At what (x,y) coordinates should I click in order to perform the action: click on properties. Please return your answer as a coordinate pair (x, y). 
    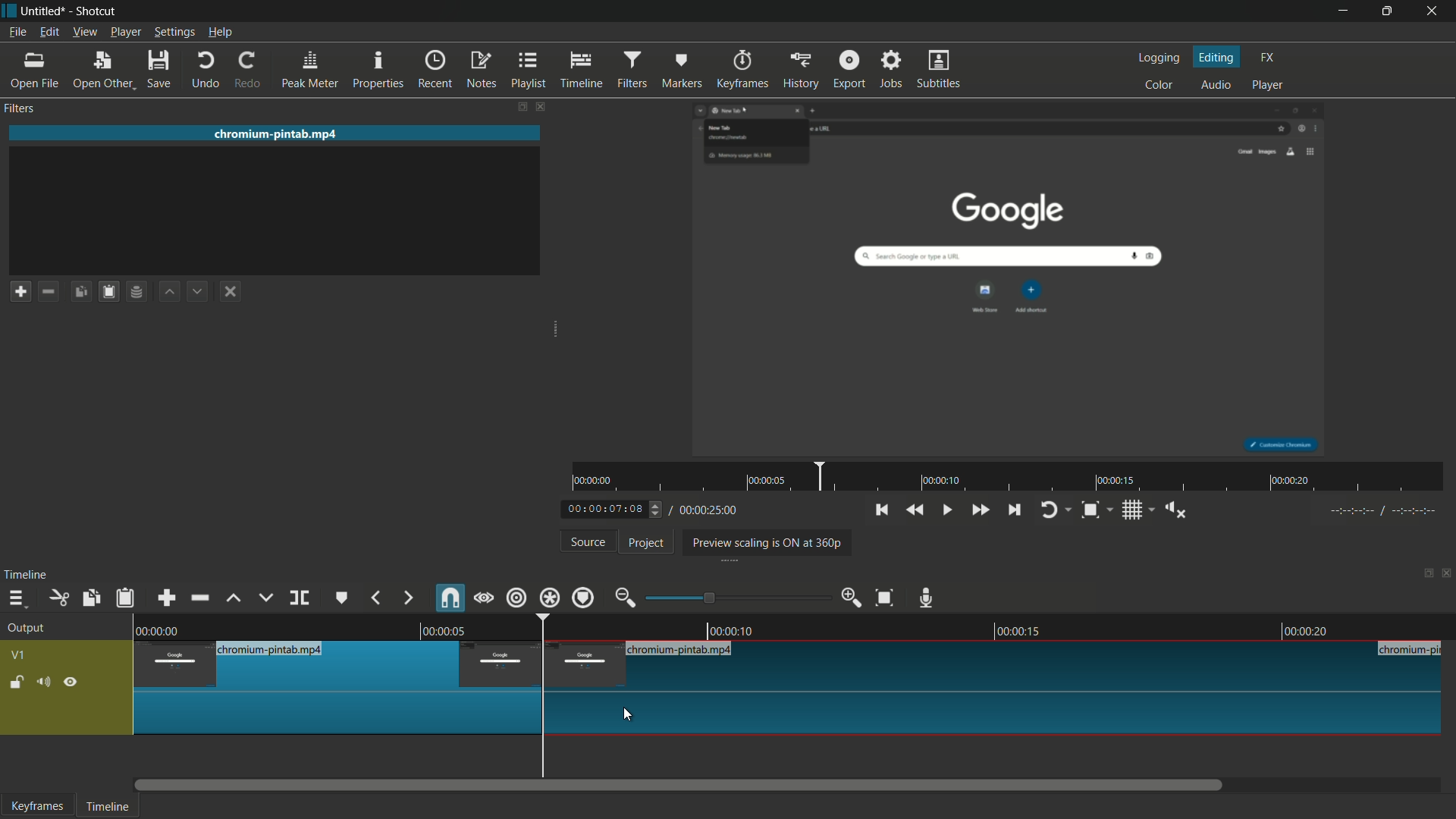
    Looking at the image, I should click on (377, 70).